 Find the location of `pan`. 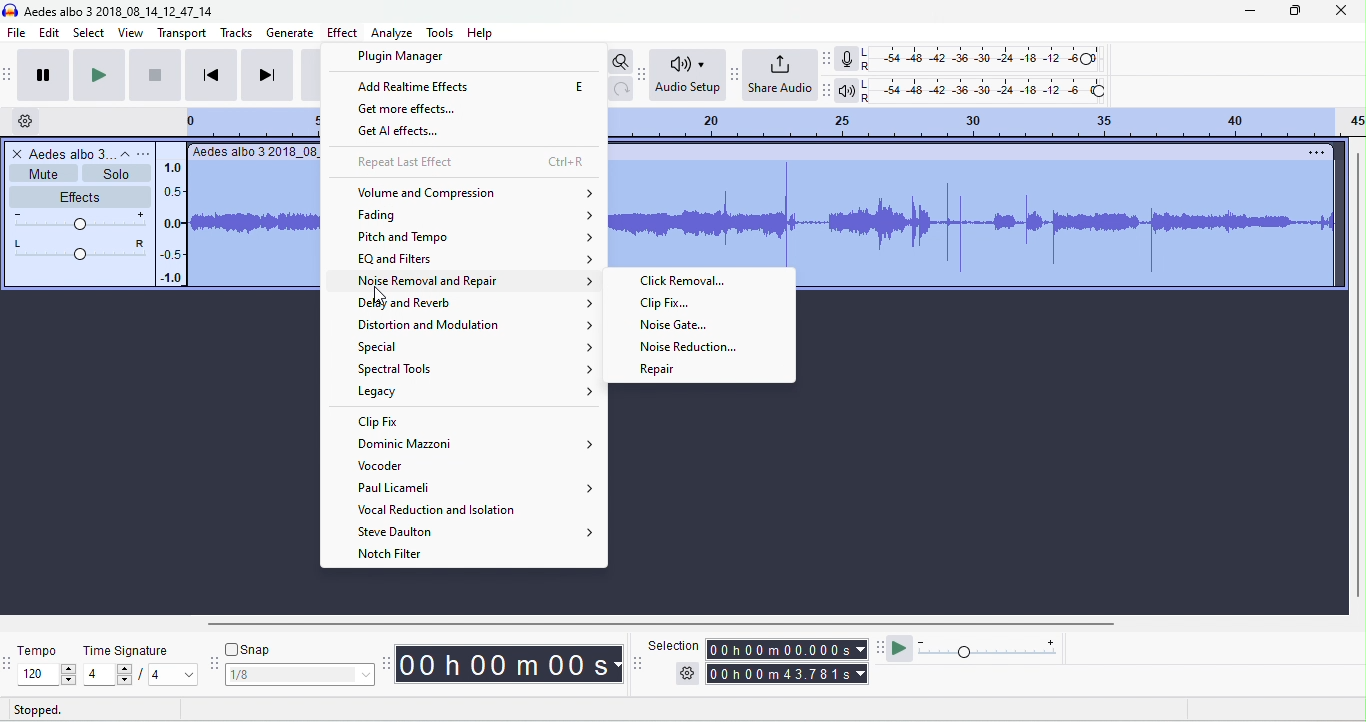

pan is located at coordinates (75, 249).